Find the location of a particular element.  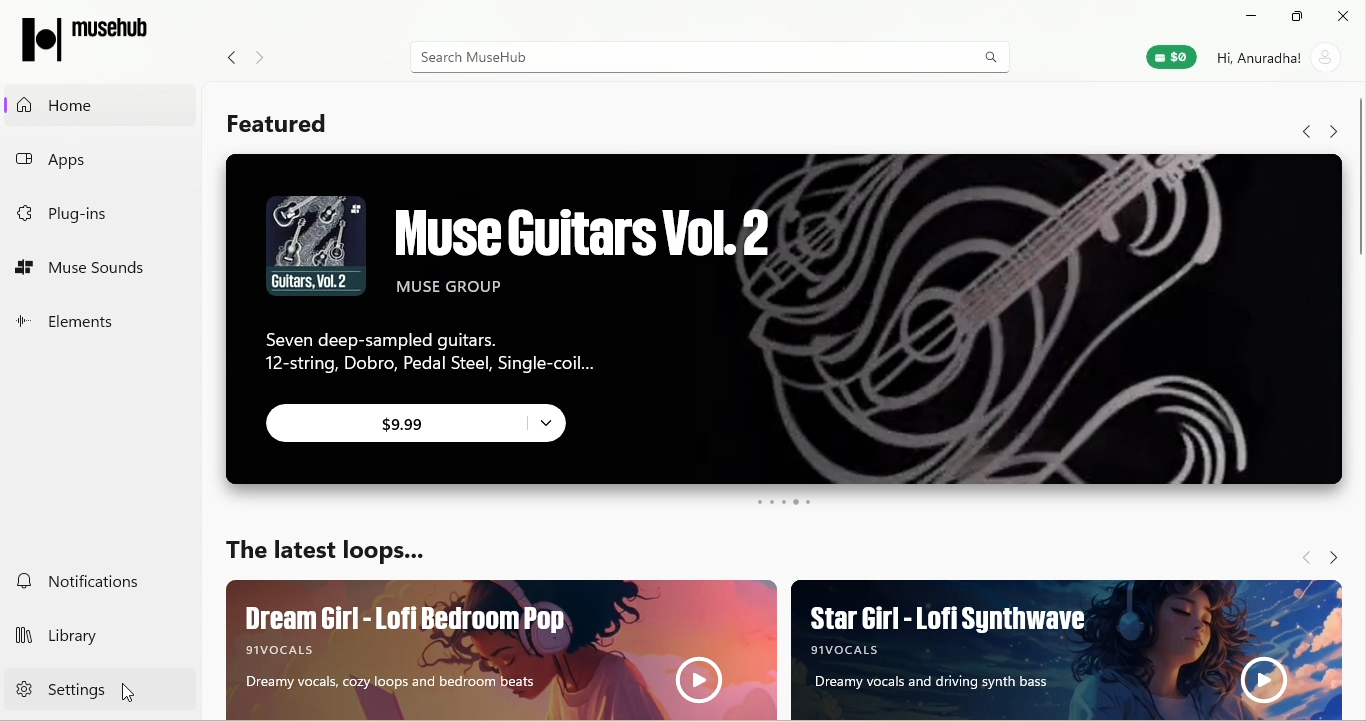

maximize is located at coordinates (1298, 15).